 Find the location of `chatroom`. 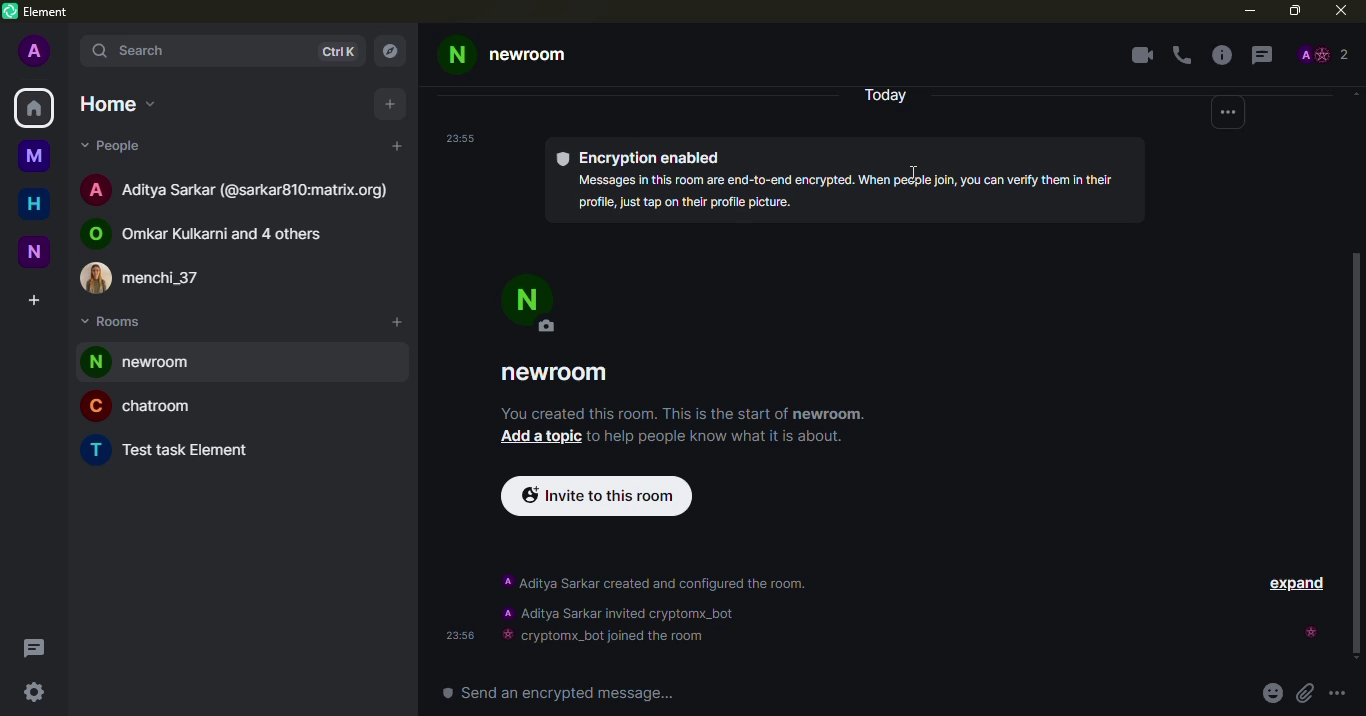

chatroom is located at coordinates (135, 409).